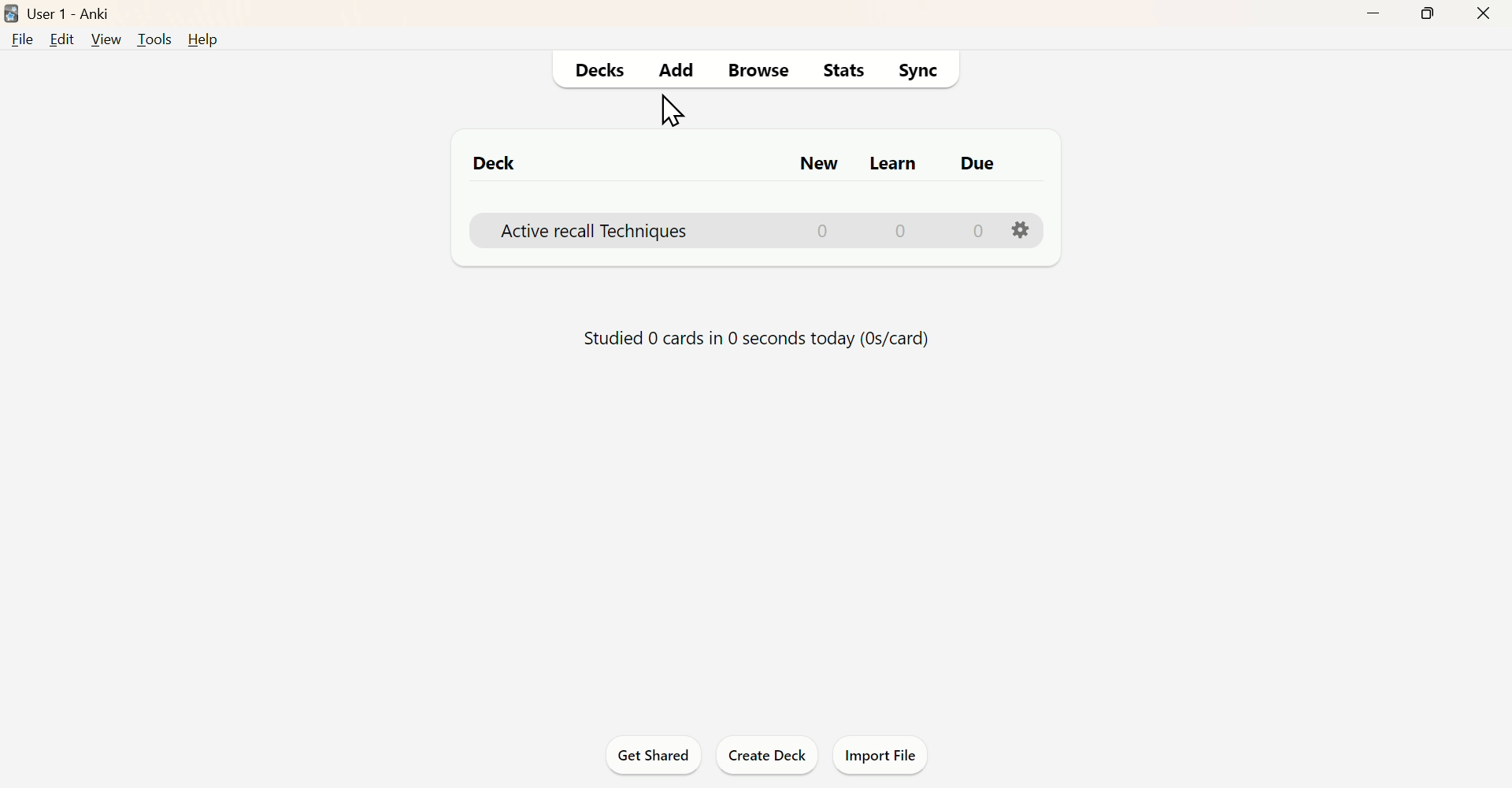 Image resolution: width=1512 pixels, height=788 pixels. What do you see at coordinates (897, 165) in the screenshot?
I see `Learn` at bounding box center [897, 165].